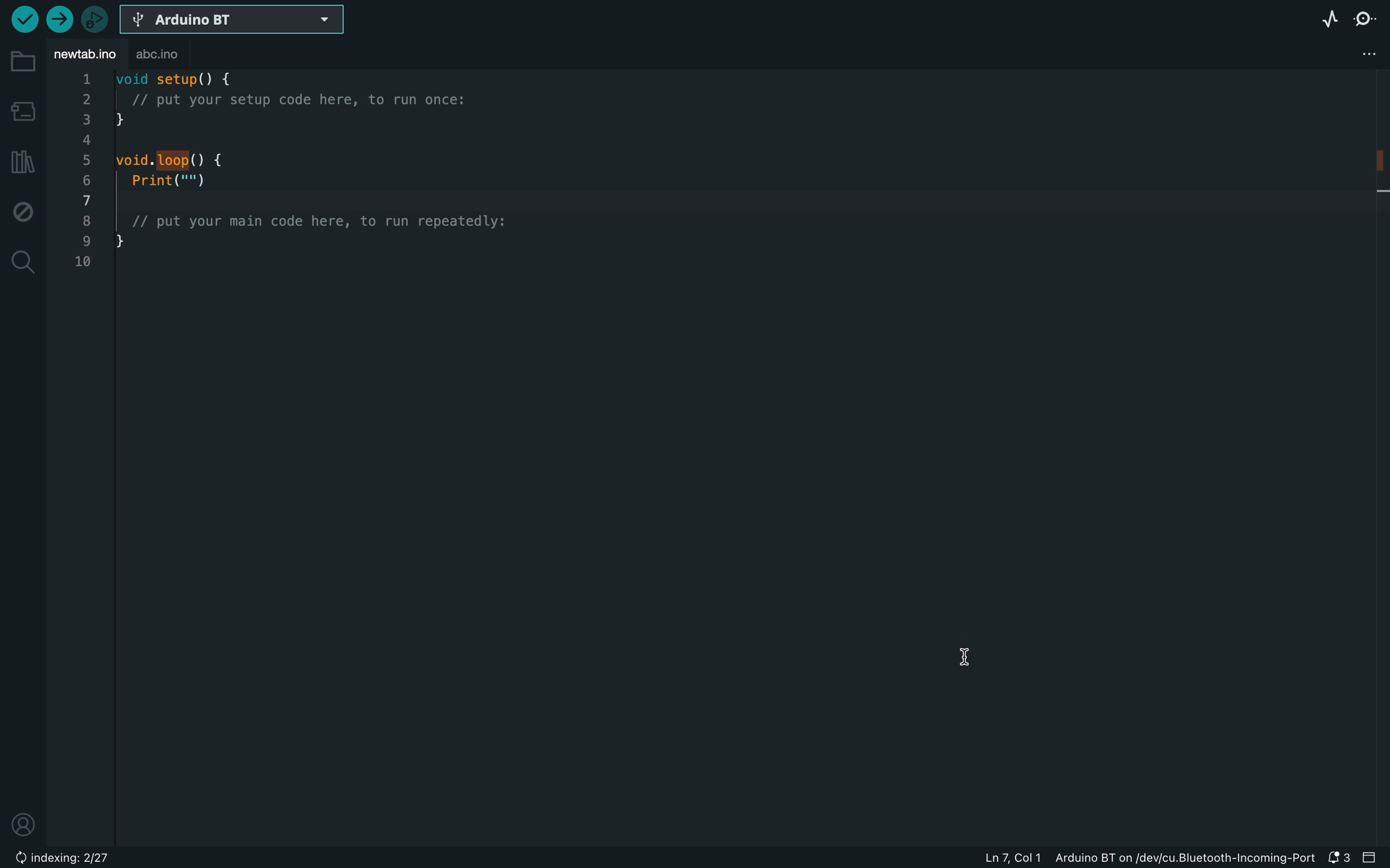 The height and width of the screenshot is (868, 1390). What do you see at coordinates (1079, 859) in the screenshot?
I see `file information` at bounding box center [1079, 859].